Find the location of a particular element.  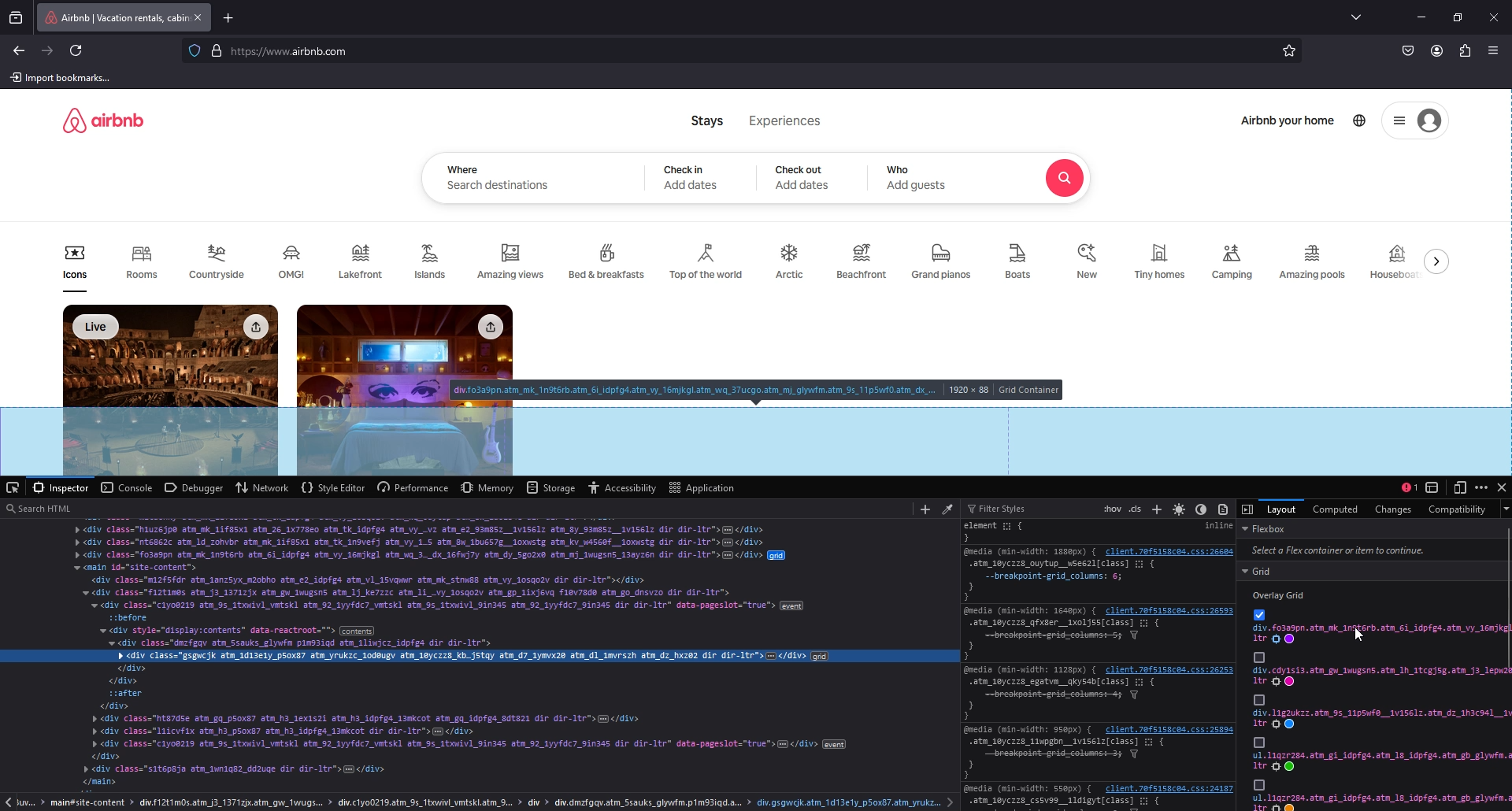

logo is located at coordinates (103, 120).